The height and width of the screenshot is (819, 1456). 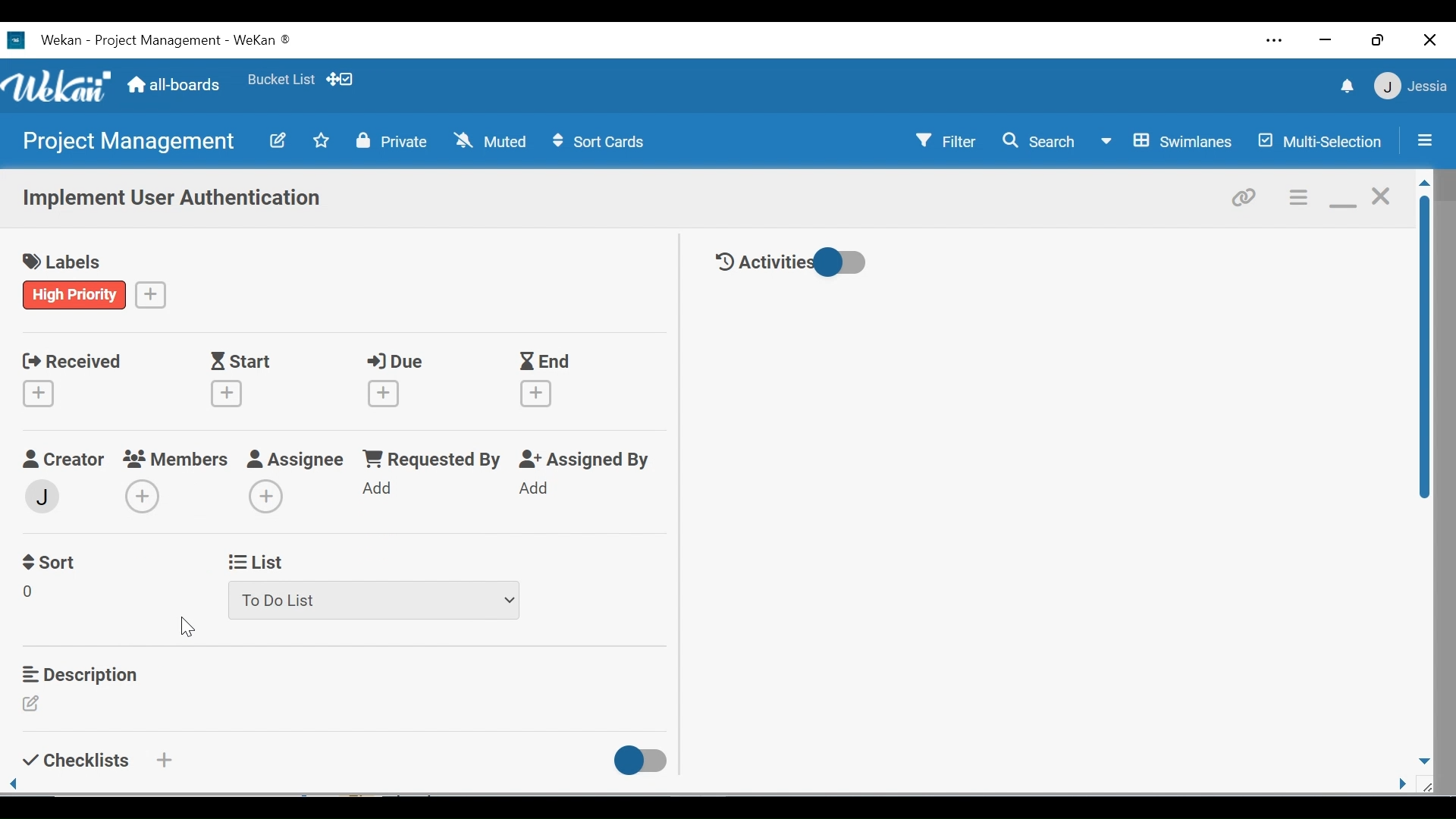 What do you see at coordinates (1247, 196) in the screenshot?
I see `link` at bounding box center [1247, 196].